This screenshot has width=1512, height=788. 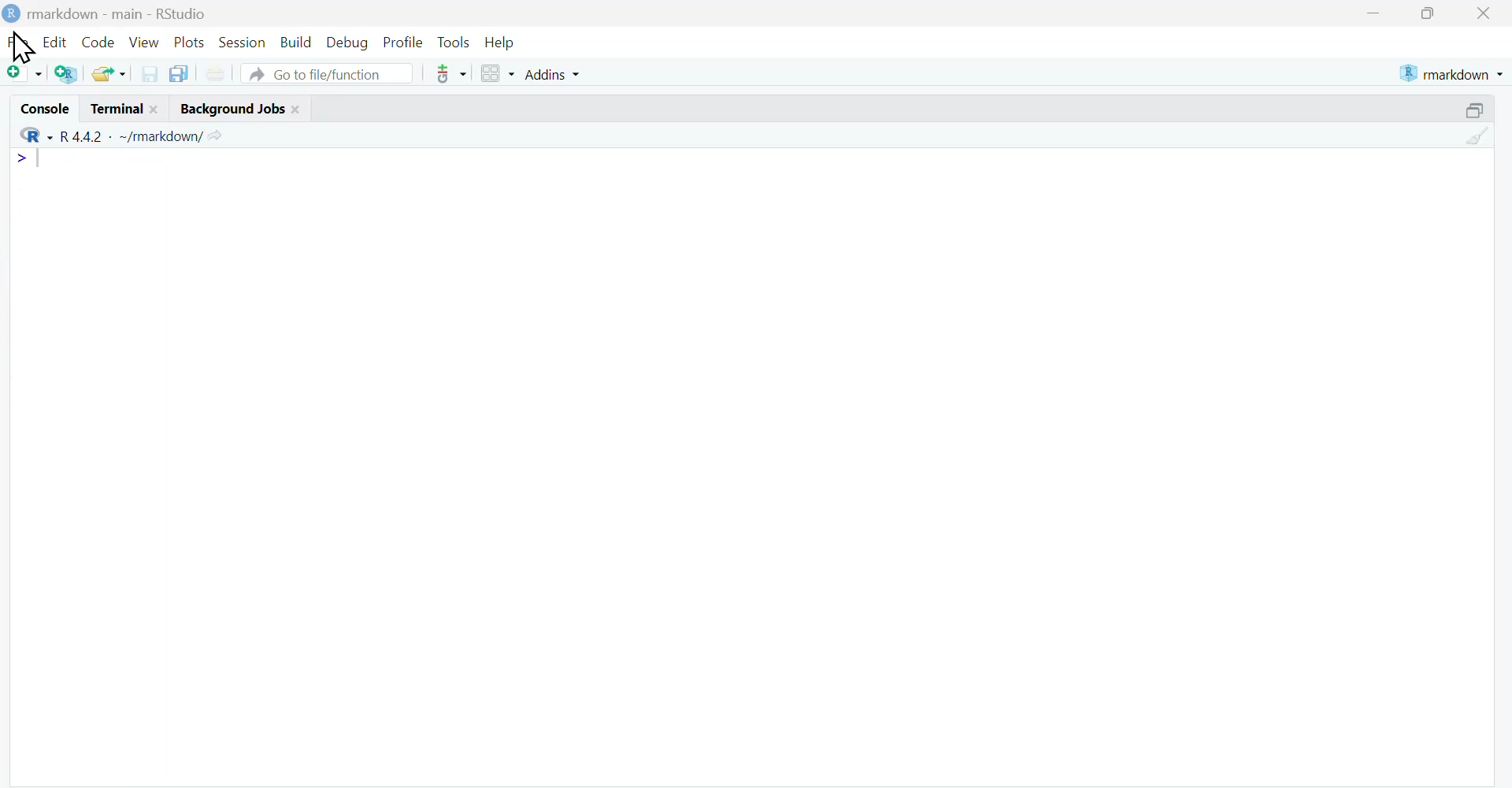 What do you see at coordinates (66, 72) in the screenshot?
I see `Create a project` at bounding box center [66, 72].